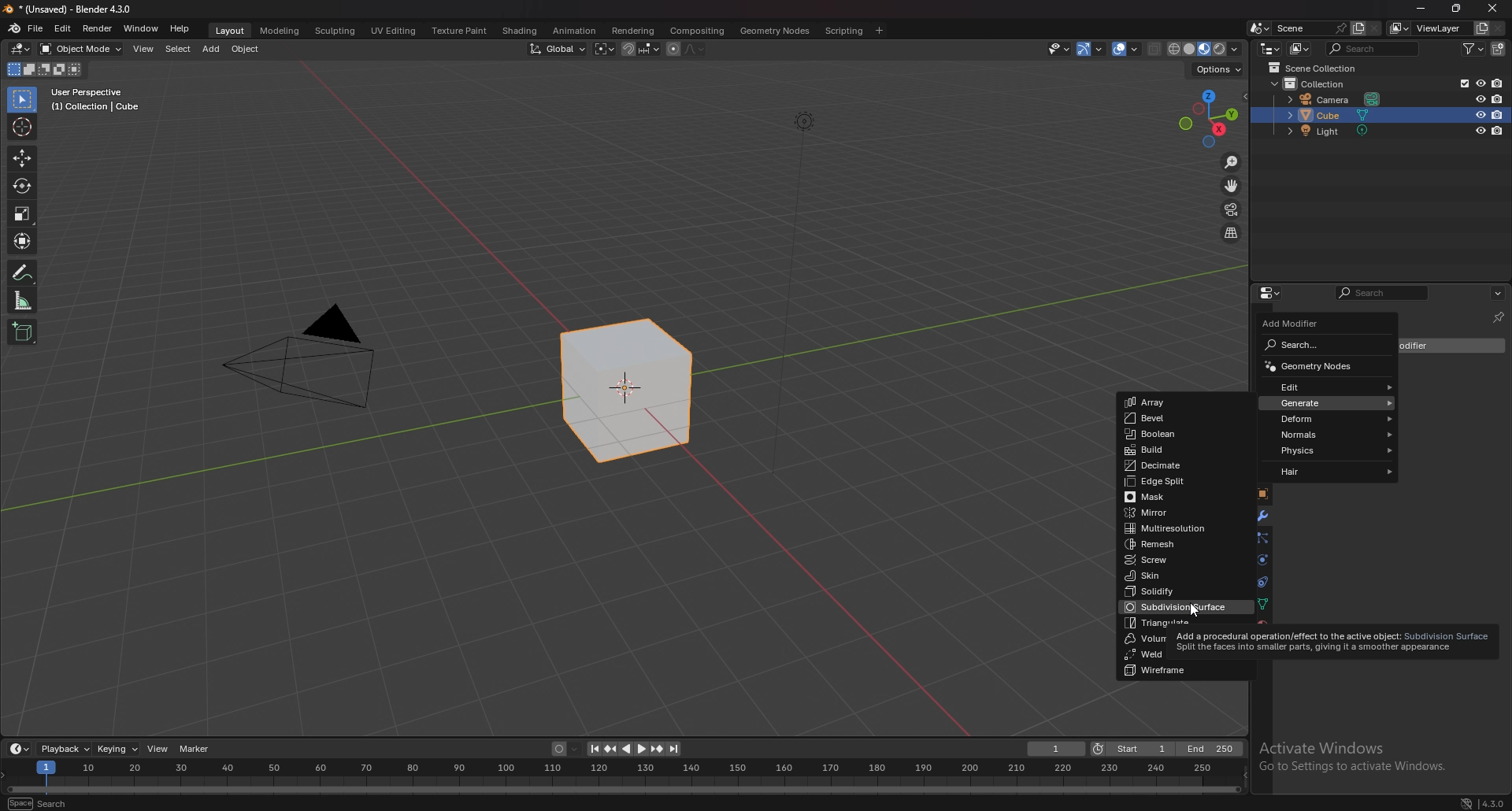 The height and width of the screenshot is (811, 1512). Describe the element at coordinates (145, 49) in the screenshot. I see `view` at that location.